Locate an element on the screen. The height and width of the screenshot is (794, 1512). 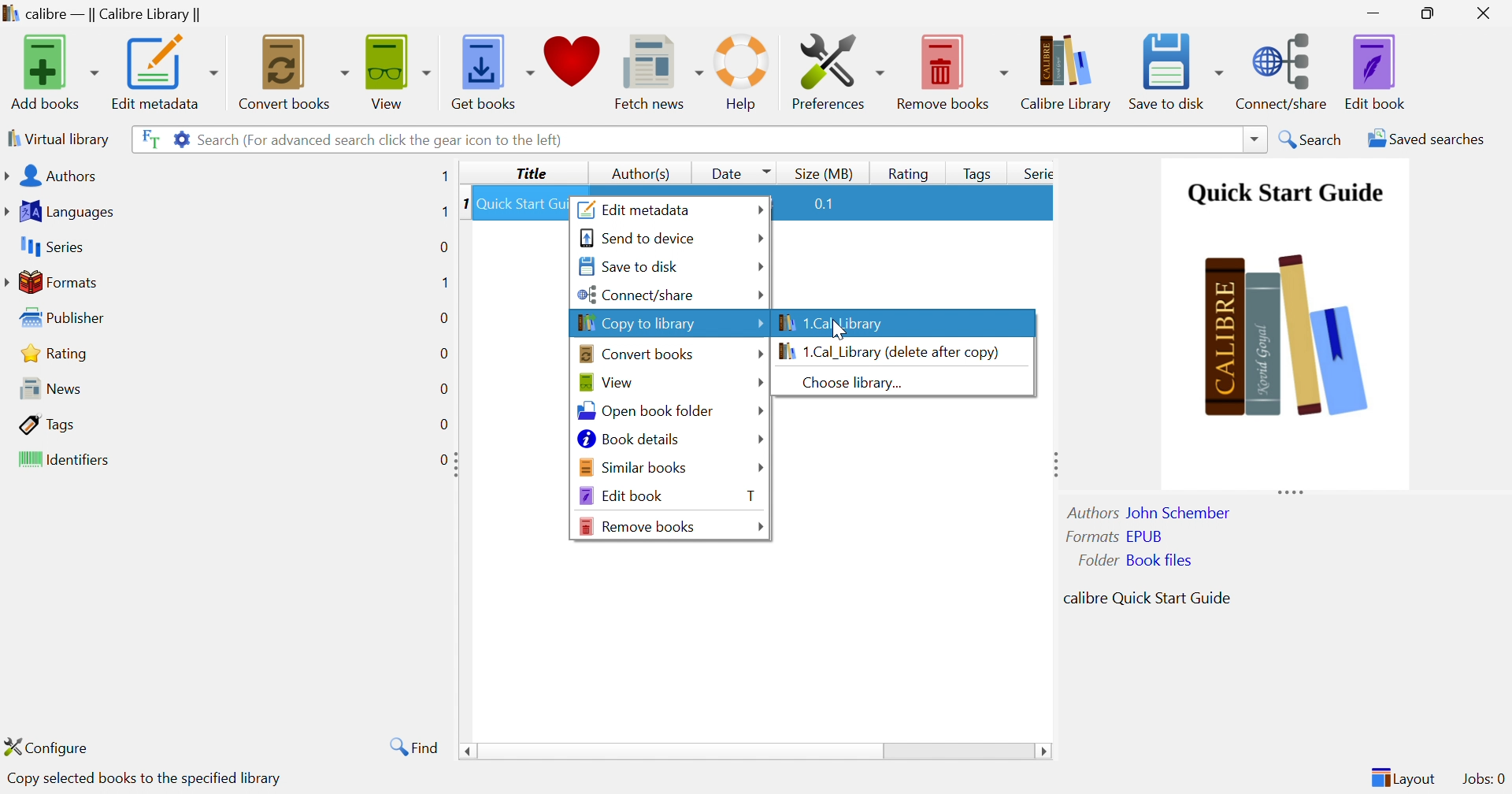
1 is located at coordinates (459, 204).